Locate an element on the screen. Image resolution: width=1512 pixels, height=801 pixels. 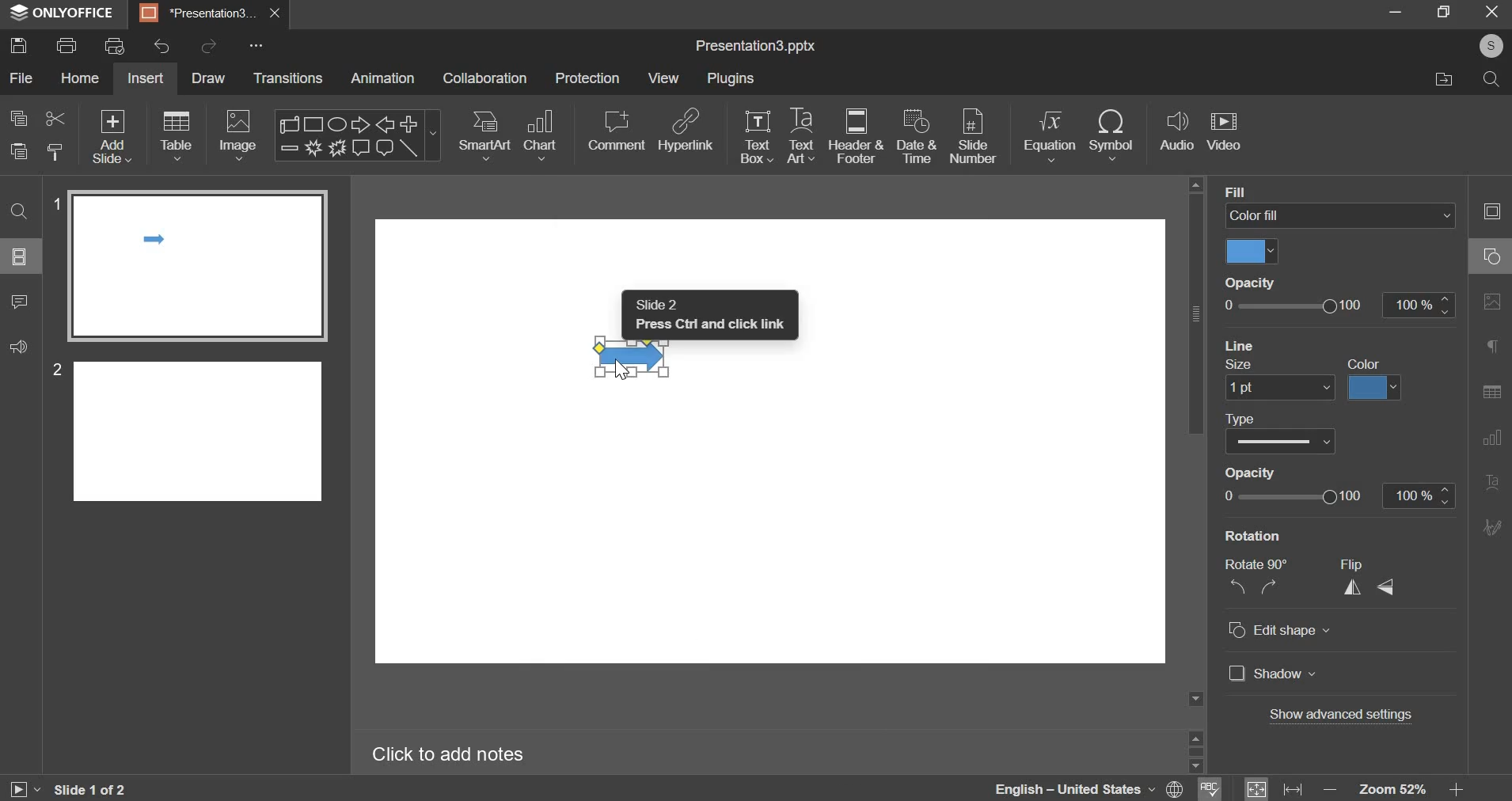
fit to slide is located at coordinates (1256, 789).